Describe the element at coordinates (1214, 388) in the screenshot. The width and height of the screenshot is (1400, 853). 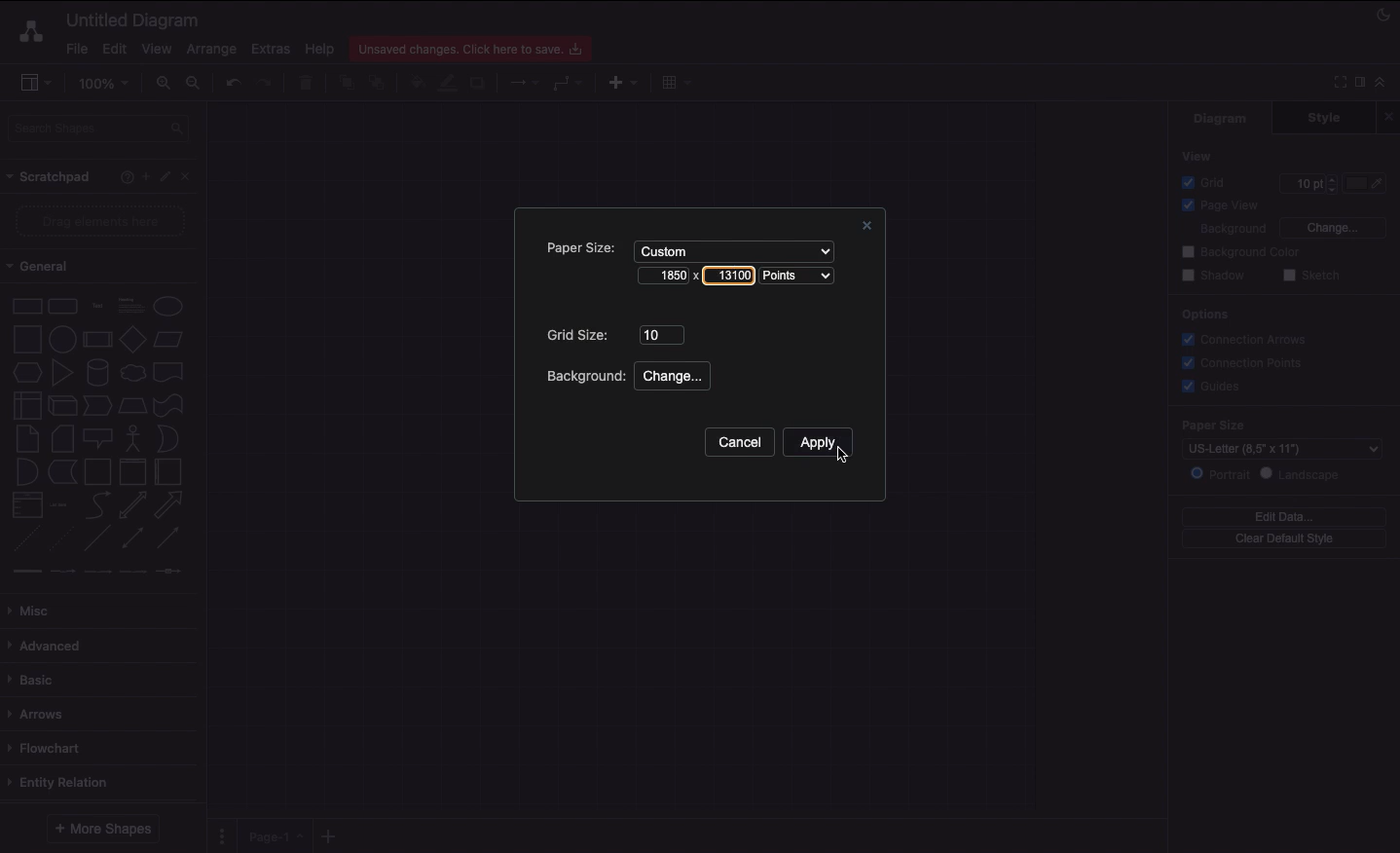
I see `Guides` at that location.